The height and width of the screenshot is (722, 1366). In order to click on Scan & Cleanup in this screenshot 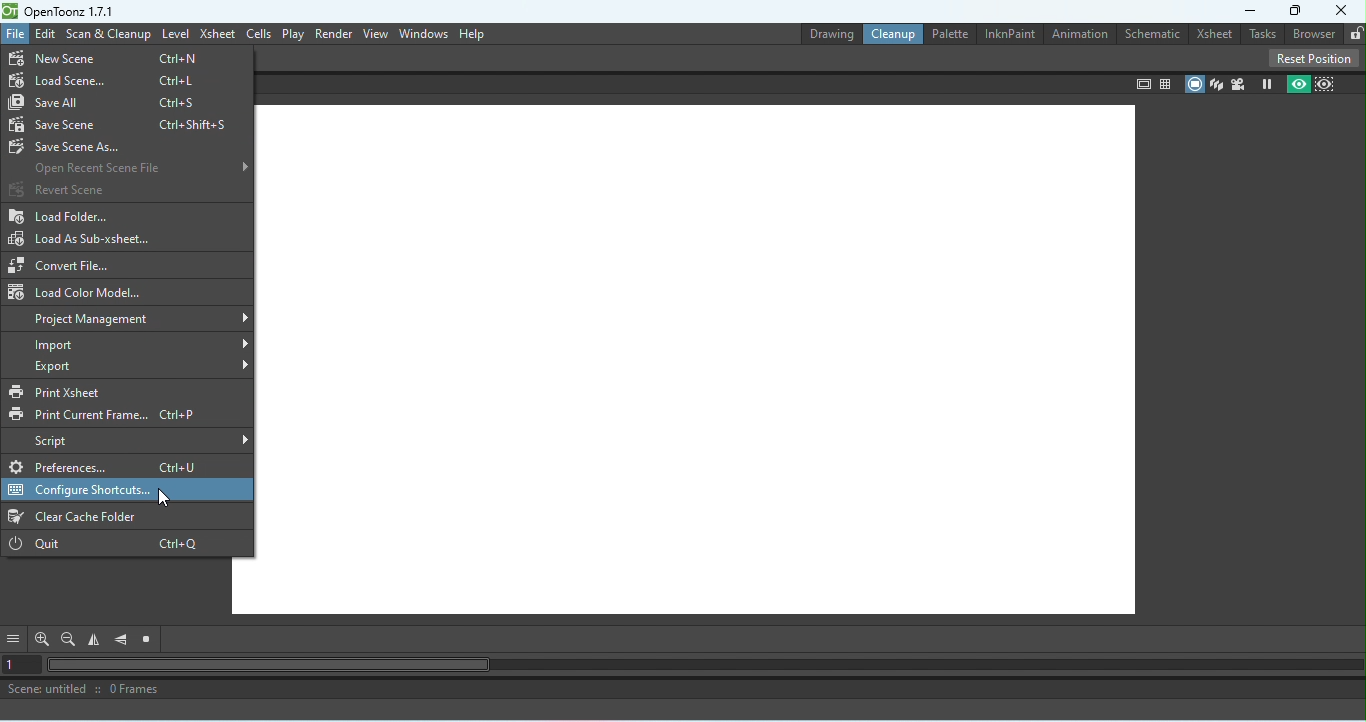, I will do `click(109, 34)`.